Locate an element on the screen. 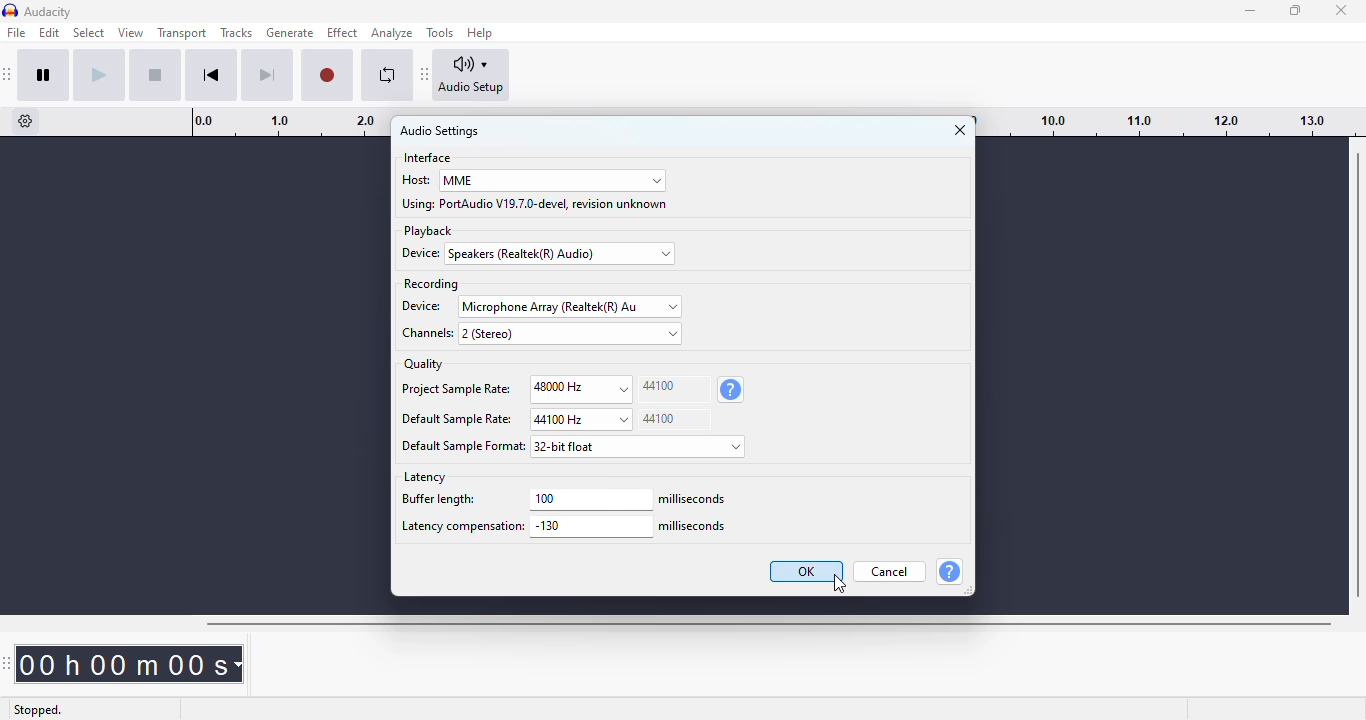 This screenshot has width=1366, height=720. pause is located at coordinates (44, 75).